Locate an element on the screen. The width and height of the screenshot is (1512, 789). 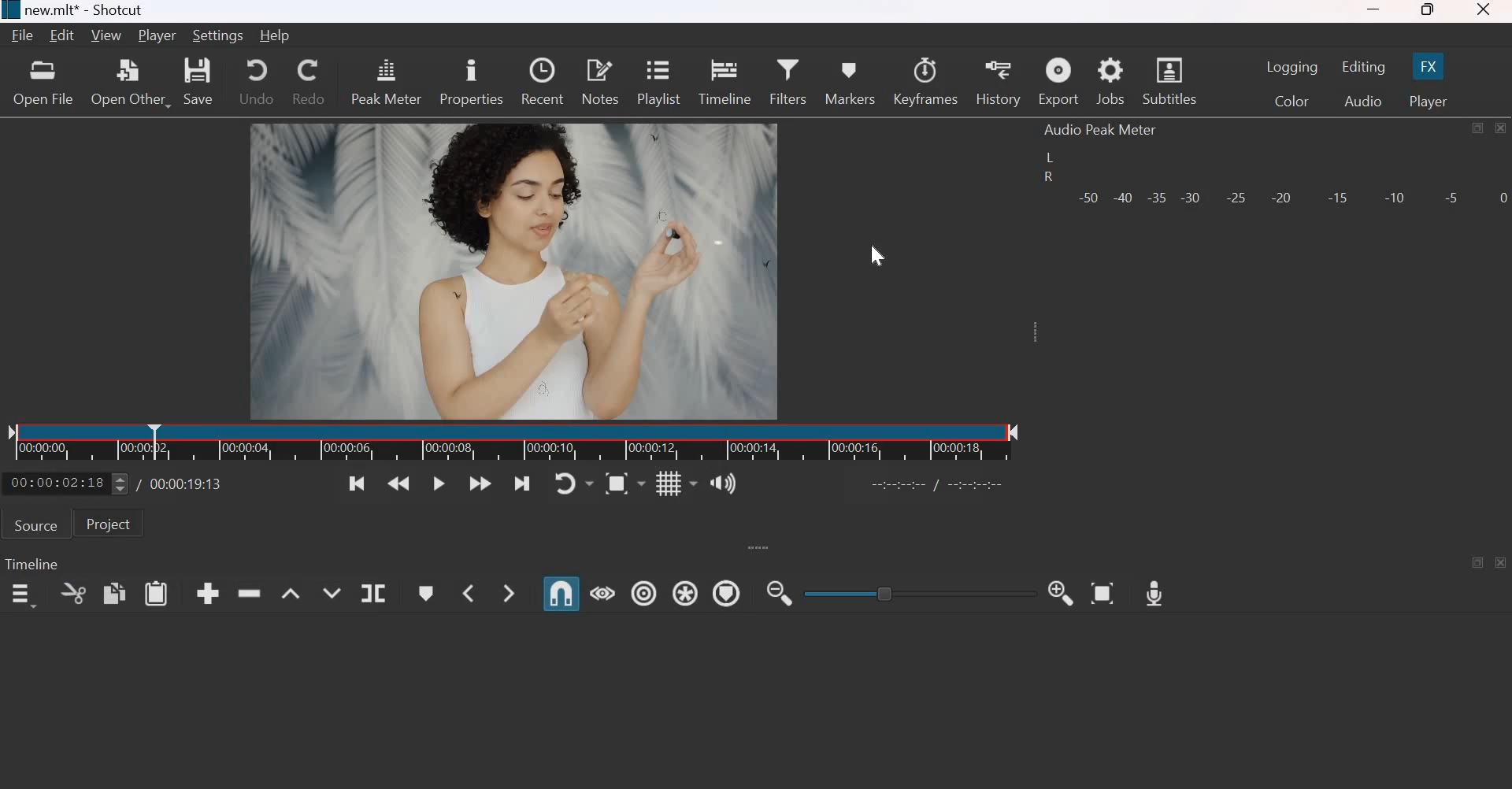
Properties is located at coordinates (471, 80).